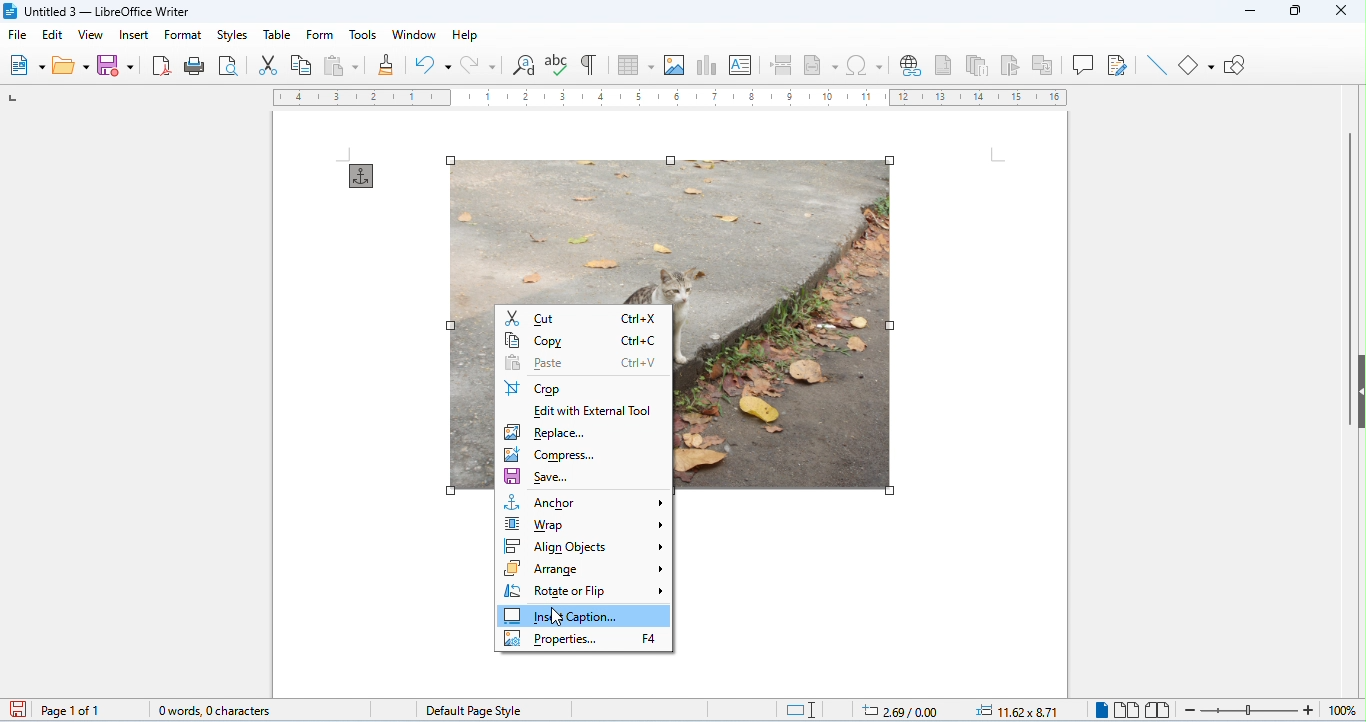  I want to click on title, so click(102, 11).